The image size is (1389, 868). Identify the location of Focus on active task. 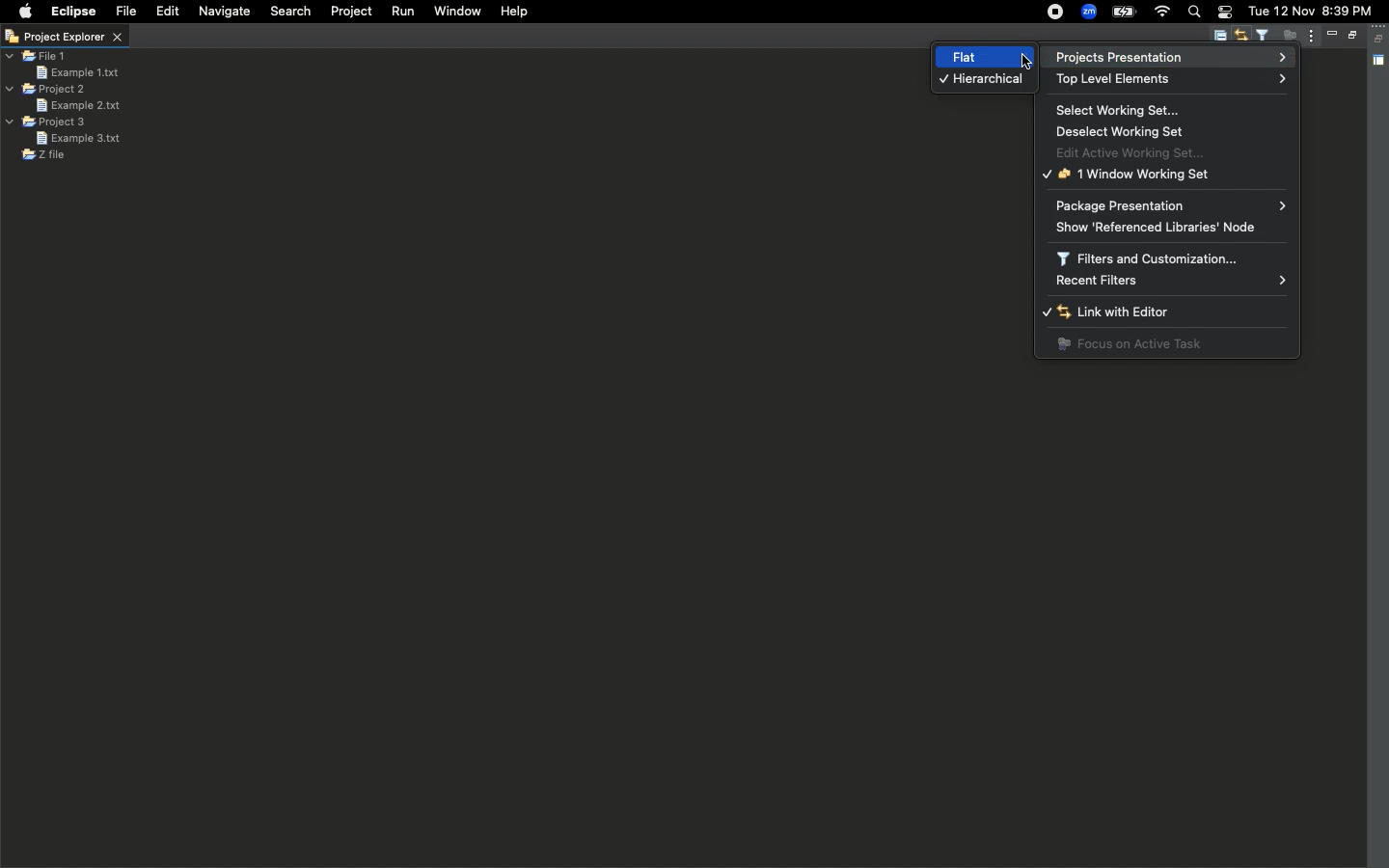
(1287, 37).